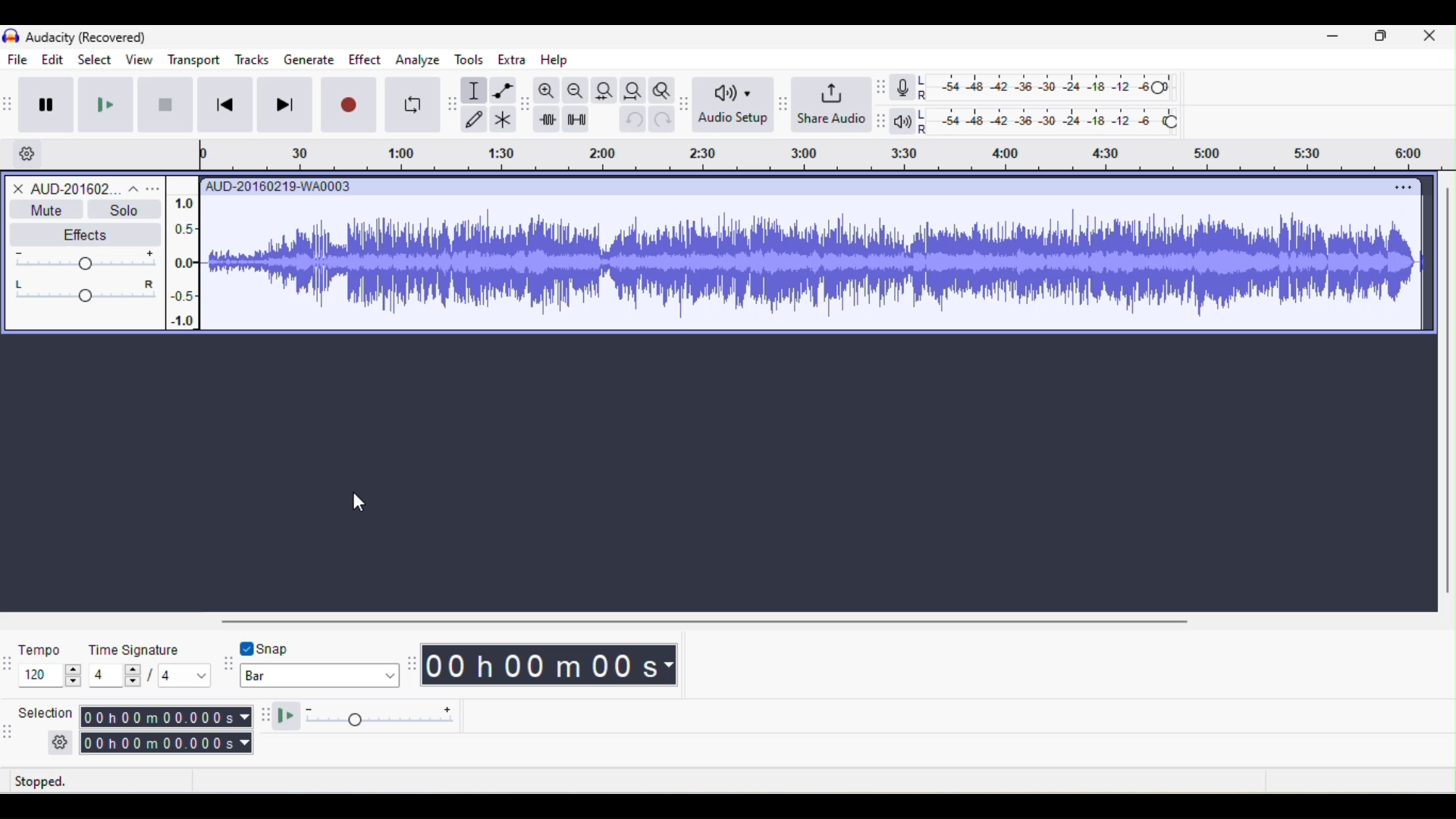 The height and width of the screenshot is (819, 1456). I want to click on record meter, so click(906, 87).